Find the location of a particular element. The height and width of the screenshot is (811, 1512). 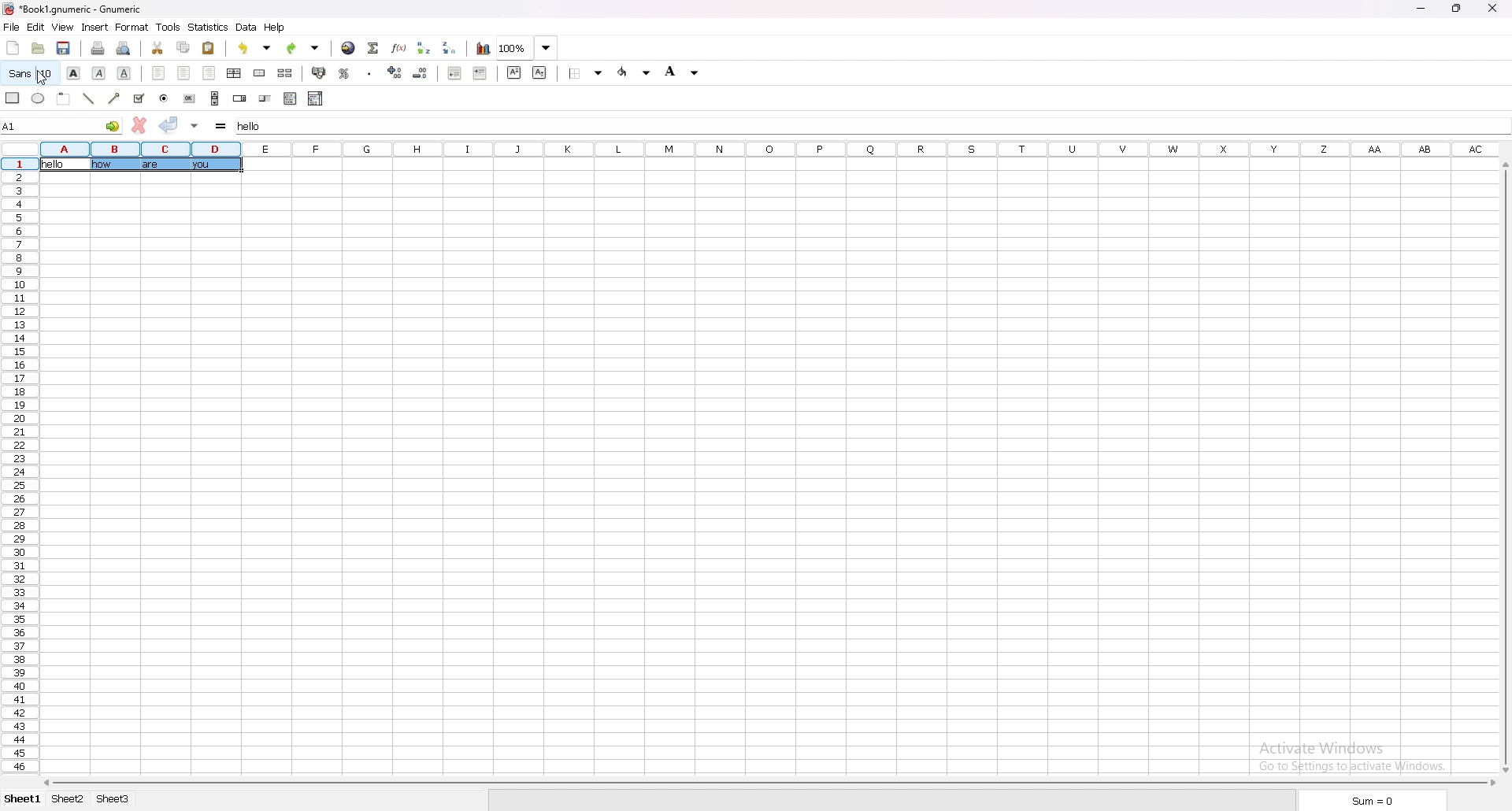

minimize is located at coordinates (1425, 7).